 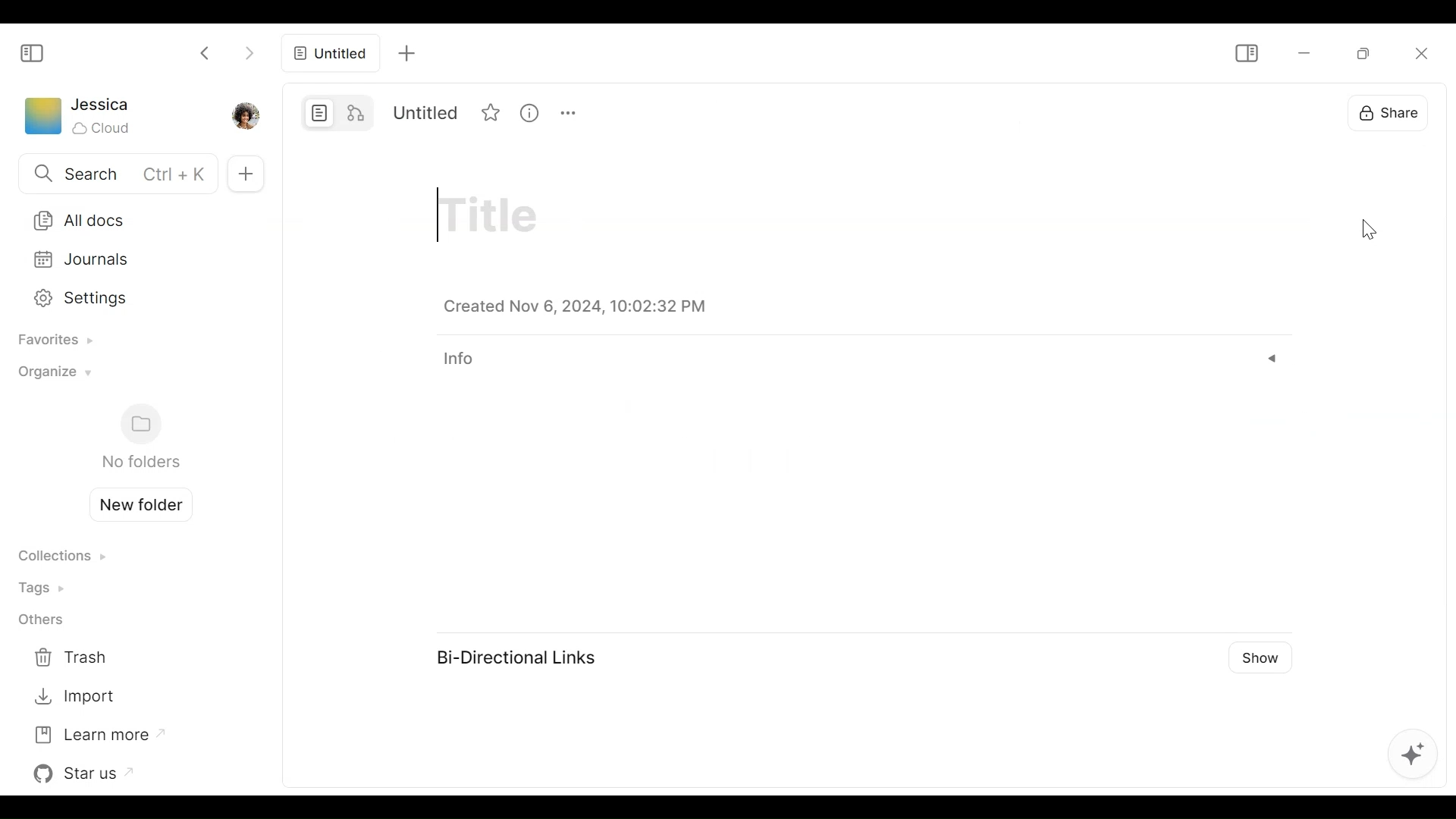 What do you see at coordinates (358, 111) in the screenshot?
I see `Edgeless mode` at bounding box center [358, 111].